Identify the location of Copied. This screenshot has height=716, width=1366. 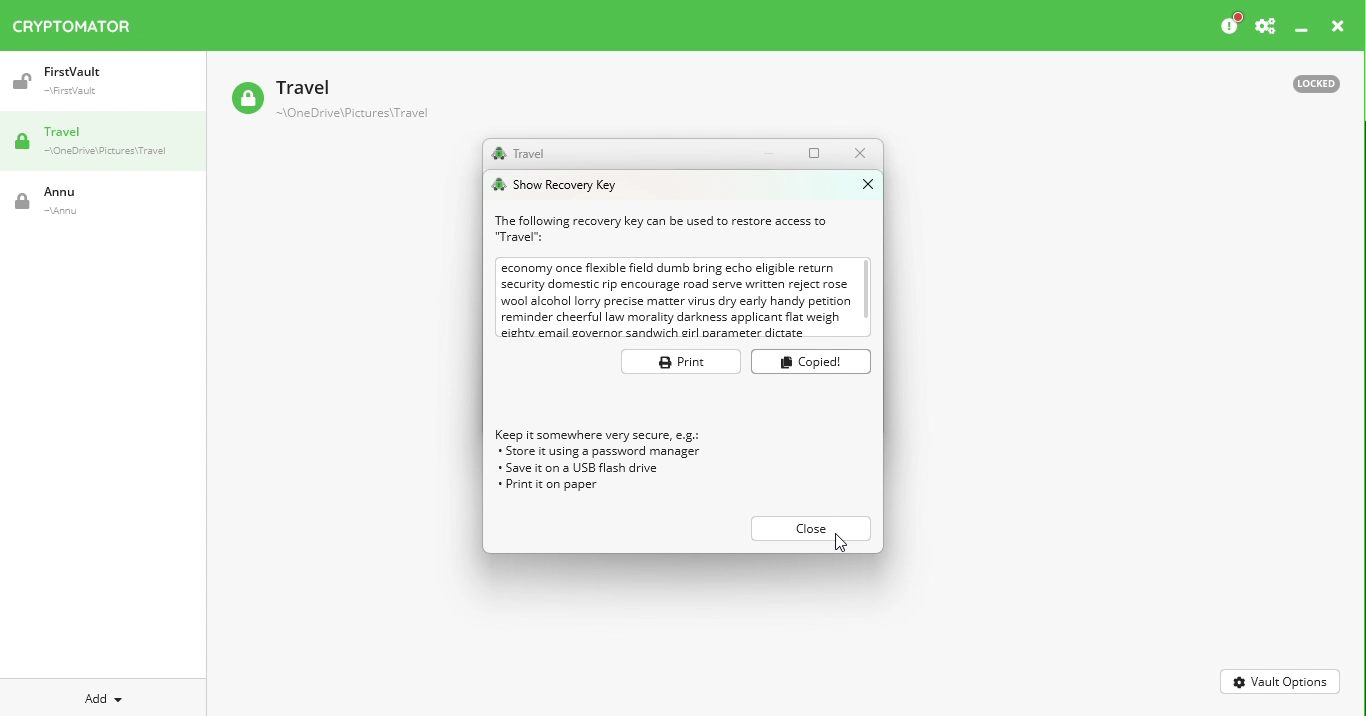
(811, 361).